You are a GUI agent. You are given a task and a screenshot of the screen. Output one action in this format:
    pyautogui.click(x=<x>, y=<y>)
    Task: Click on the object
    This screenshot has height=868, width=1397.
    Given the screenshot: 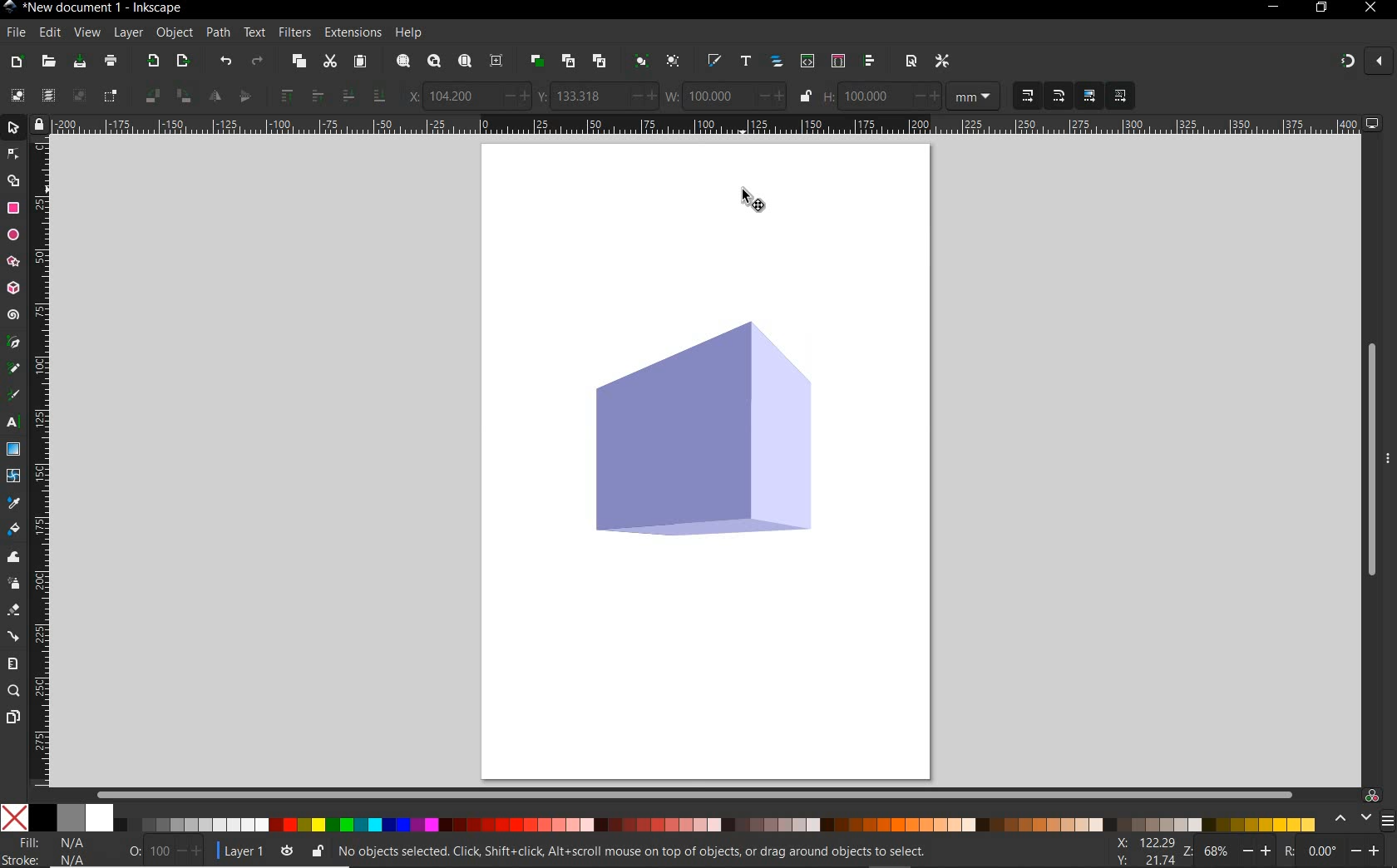 What is the action you would take?
    pyautogui.click(x=174, y=33)
    